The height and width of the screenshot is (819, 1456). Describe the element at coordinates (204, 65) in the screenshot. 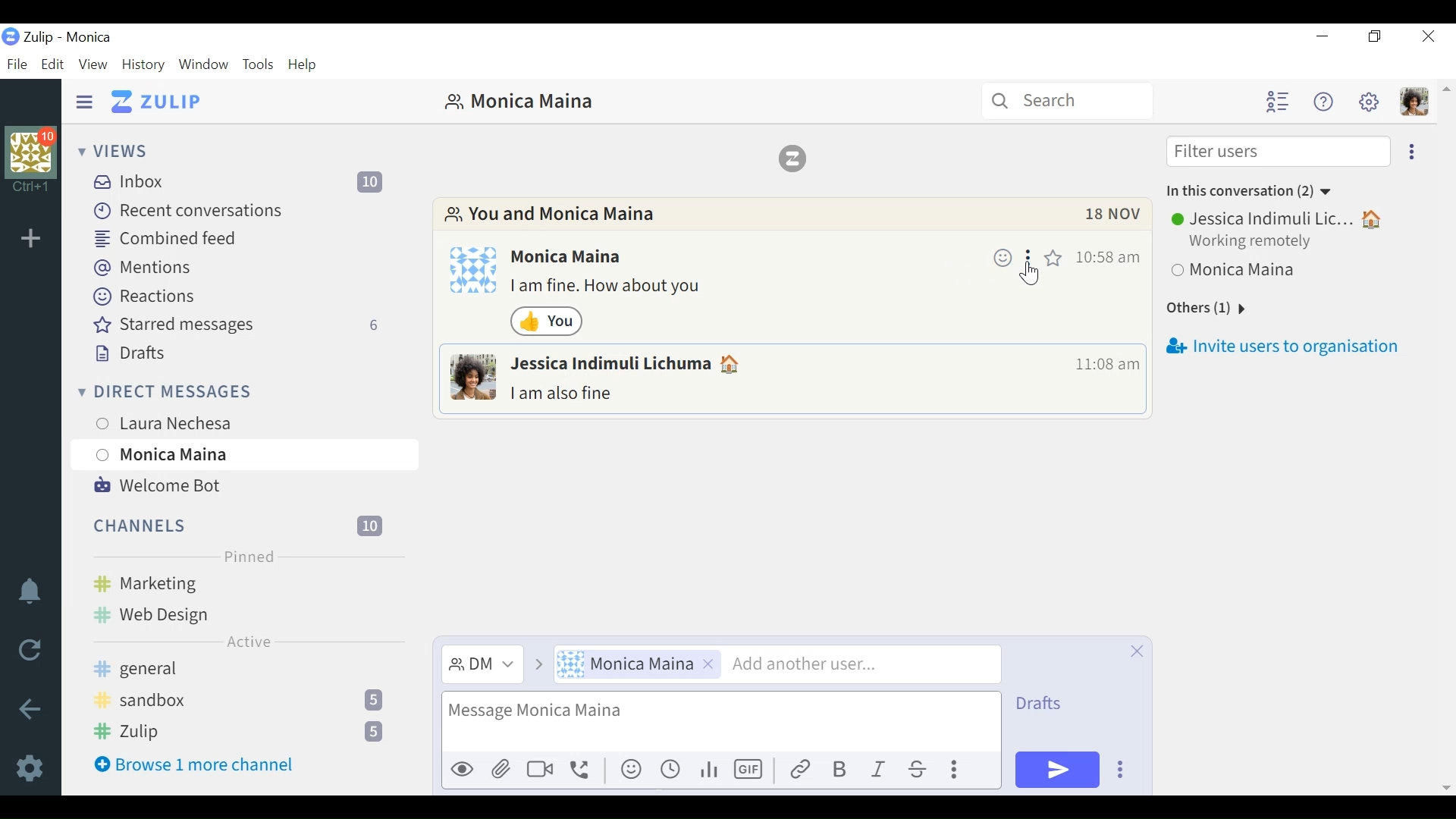

I see `Window` at that location.